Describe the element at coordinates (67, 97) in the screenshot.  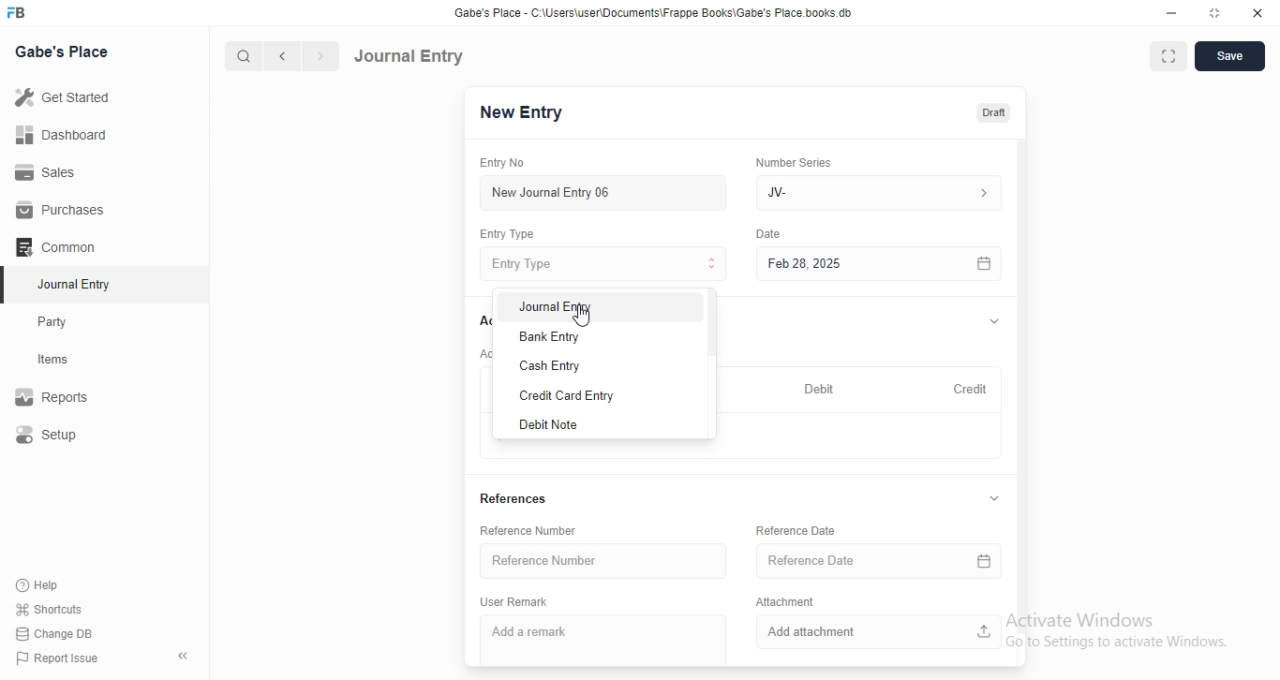
I see `Get Started` at that location.